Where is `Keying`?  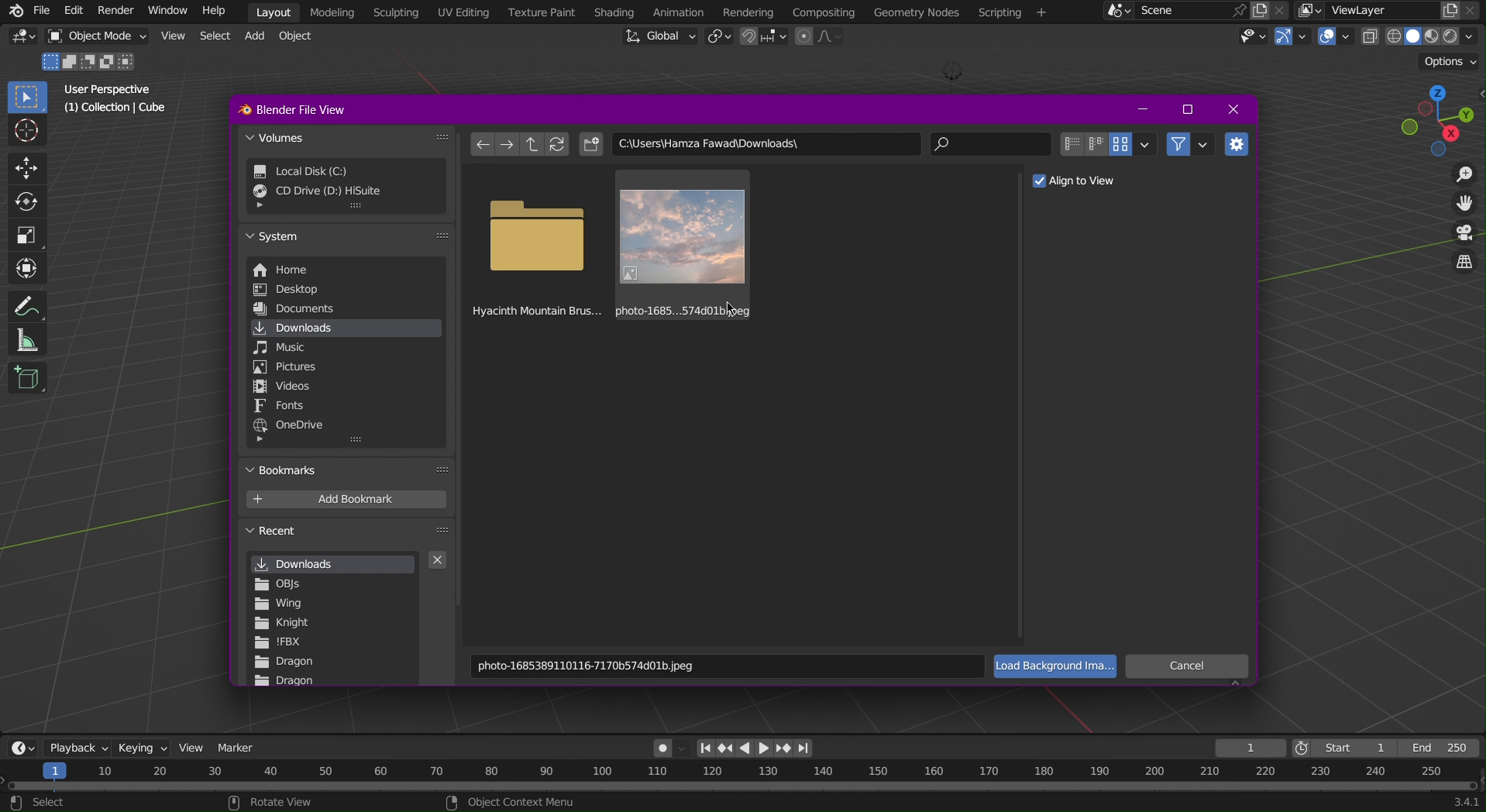 Keying is located at coordinates (141, 744).